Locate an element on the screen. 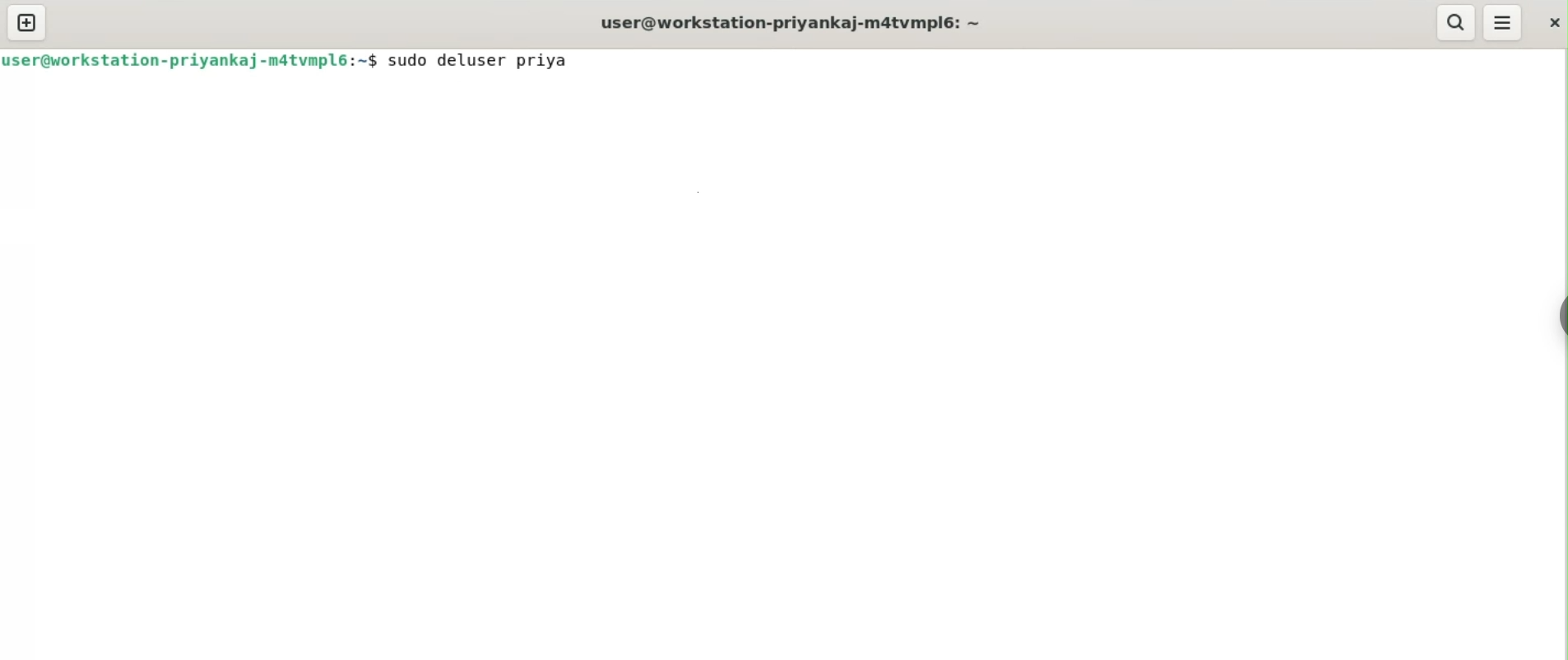 The image size is (1568, 660). new tab is located at coordinates (28, 23).